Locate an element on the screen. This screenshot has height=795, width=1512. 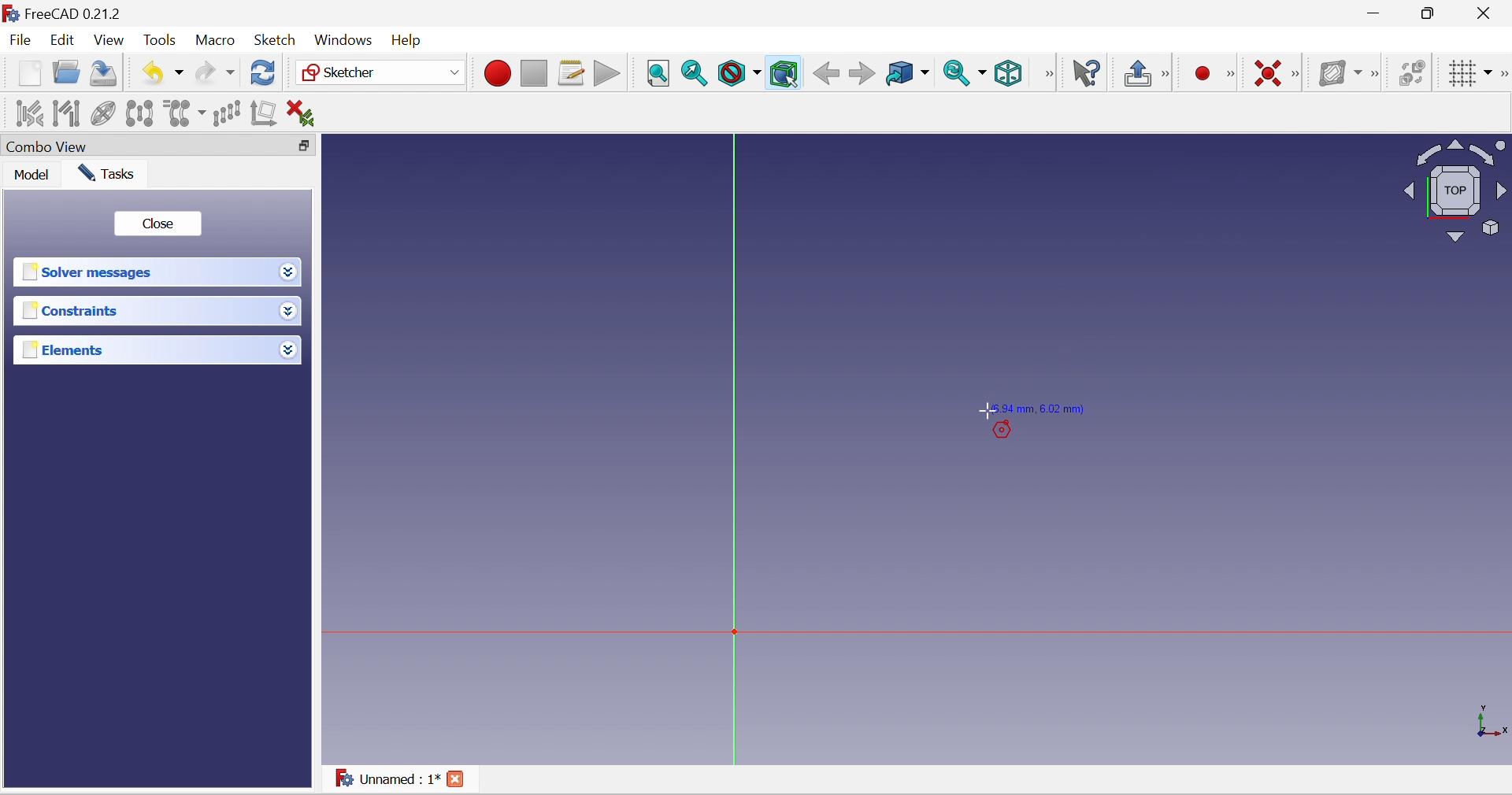
FreeCAD 0.21.2 is located at coordinates (63, 13).